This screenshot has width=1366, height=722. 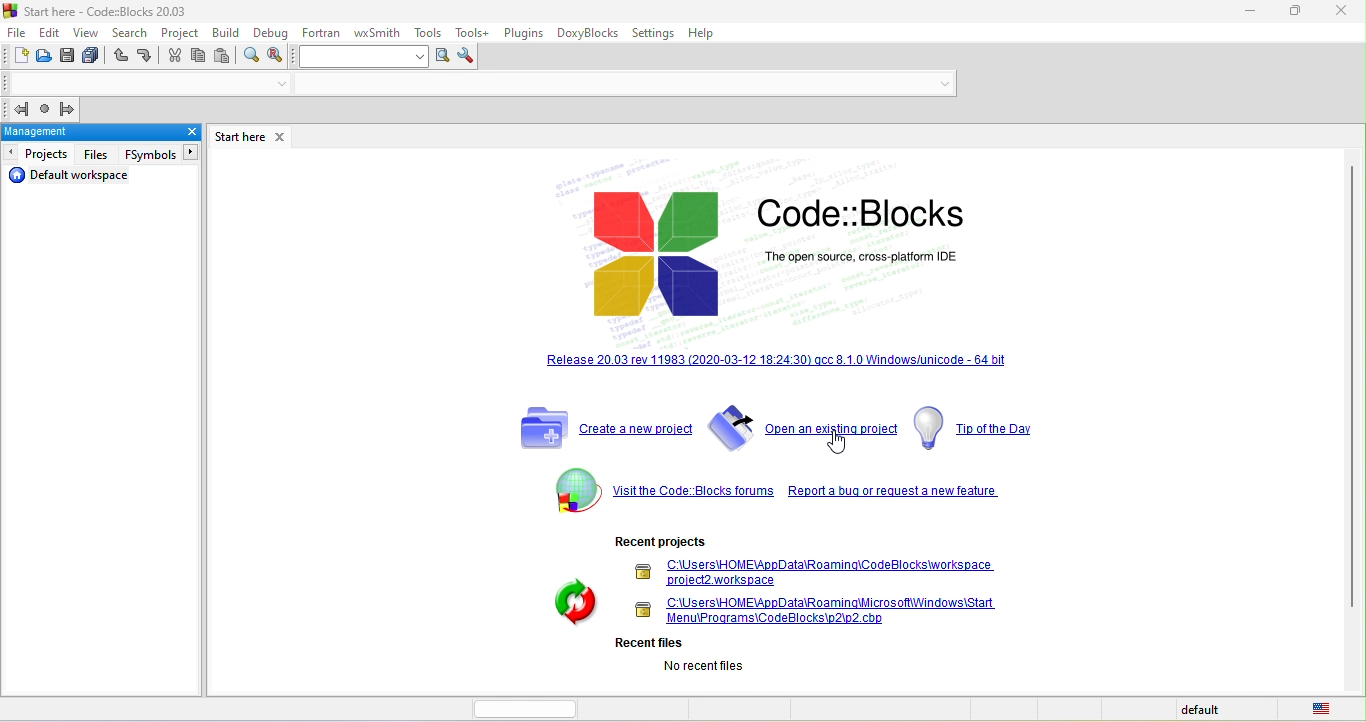 I want to click on drop down, so click(x=277, y=84).